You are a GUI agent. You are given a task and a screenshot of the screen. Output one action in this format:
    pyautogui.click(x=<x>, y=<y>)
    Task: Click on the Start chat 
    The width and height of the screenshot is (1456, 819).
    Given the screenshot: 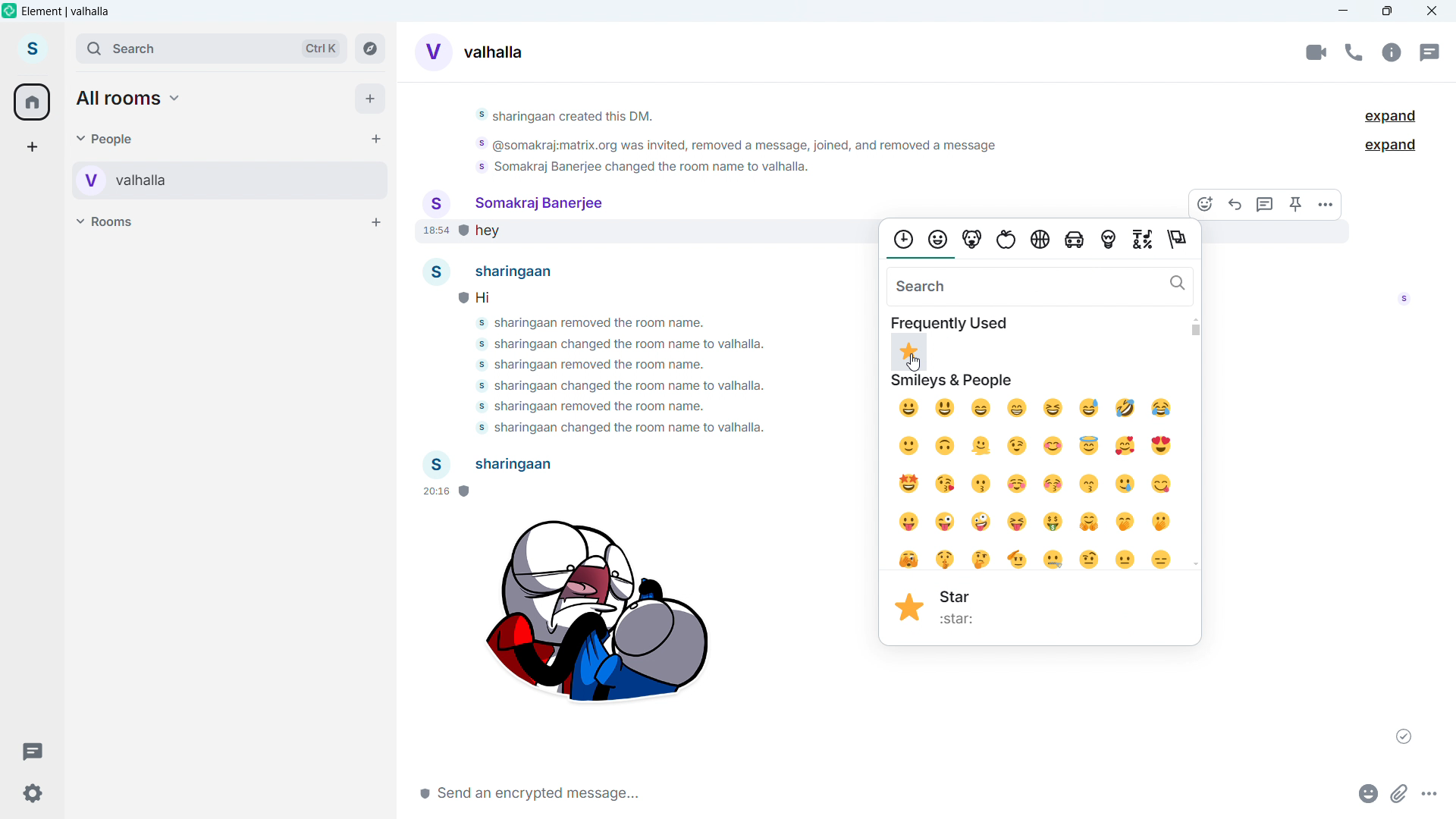 What is the action you would take?
    pyautogui.click(x=374, y=138)
    